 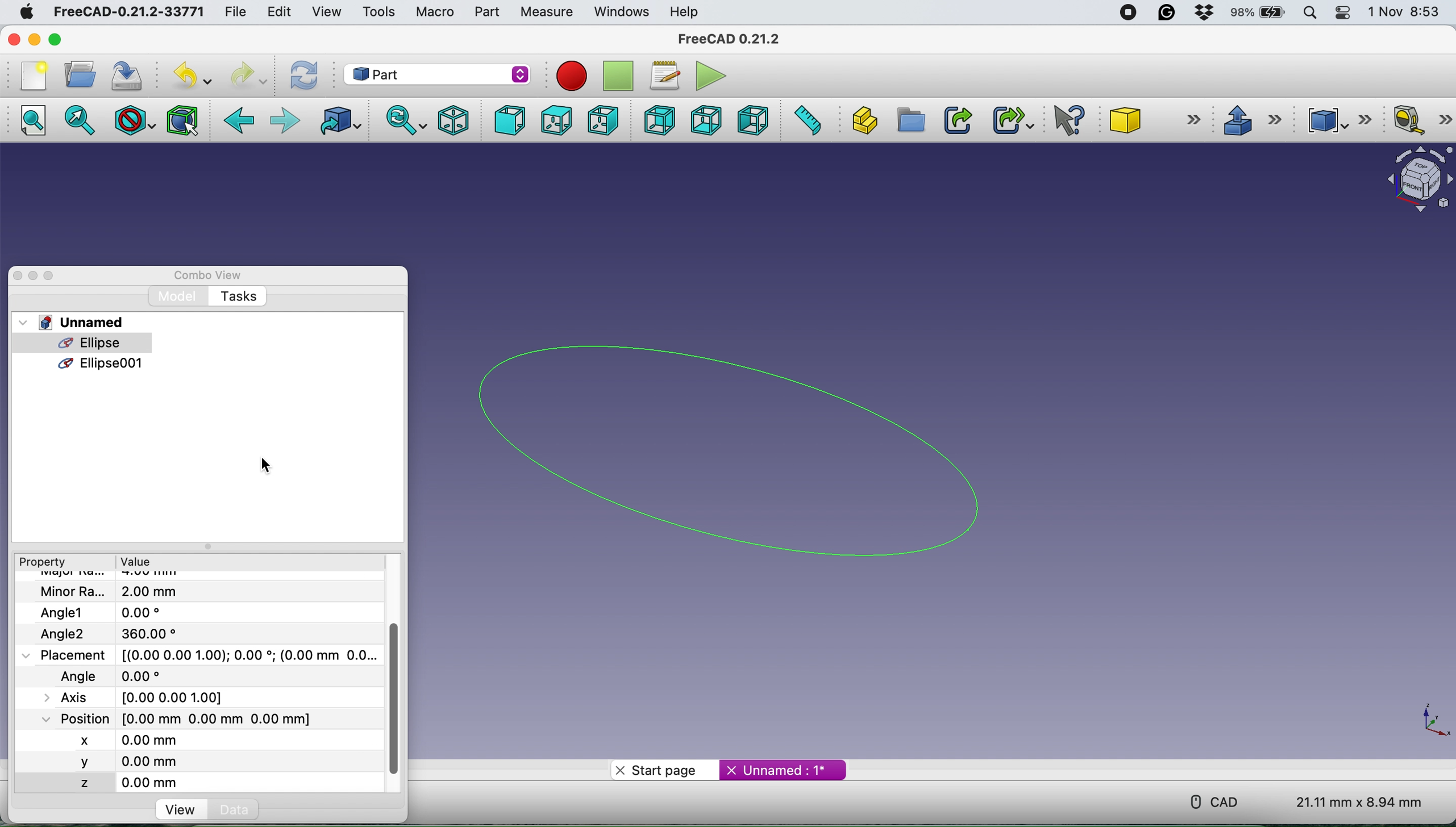 What do you see at coordinates (396, 697) in the screenshot?
I see `vertical scroll bar` at bounding box center [396, 697].